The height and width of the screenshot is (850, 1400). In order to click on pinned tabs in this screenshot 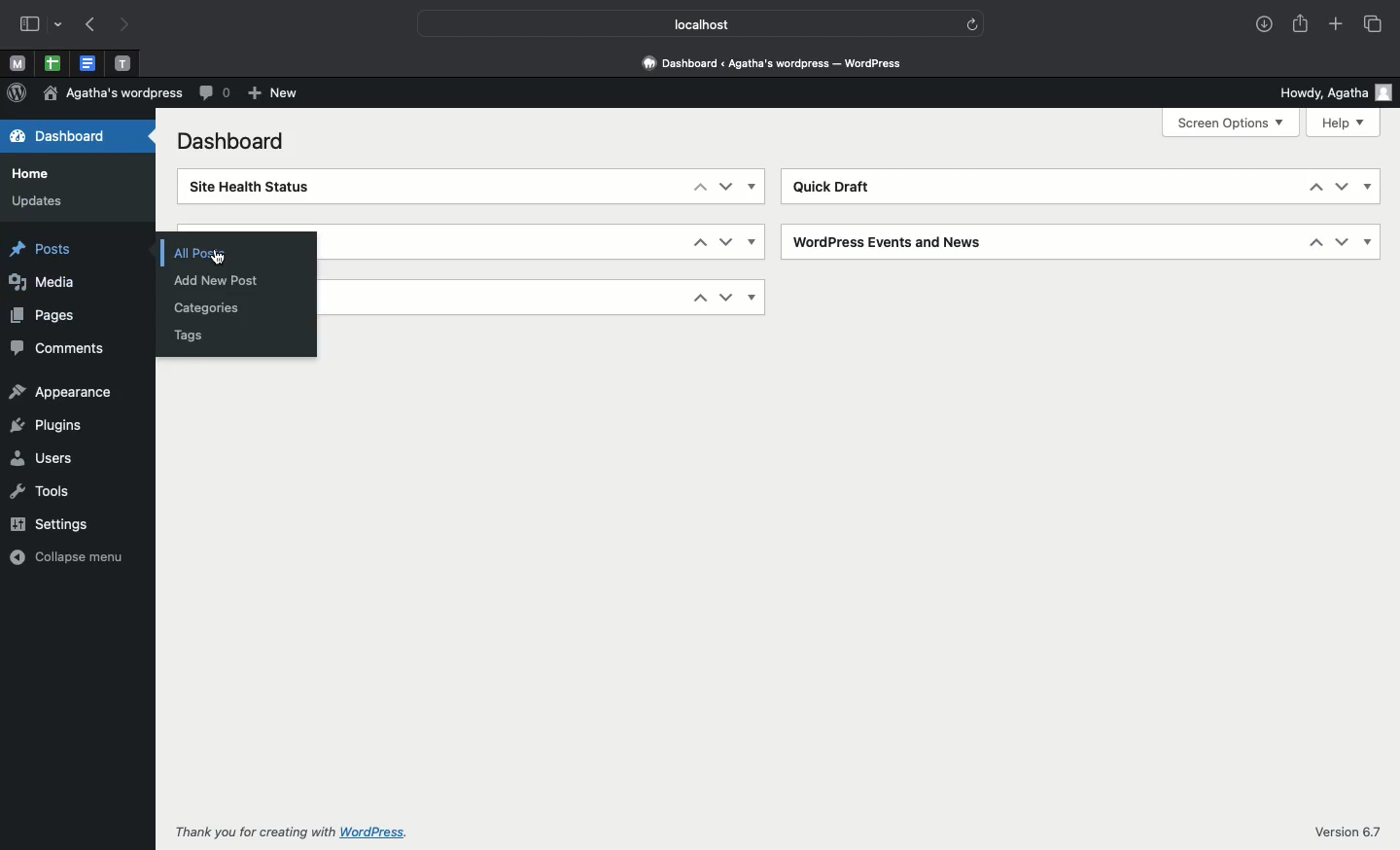, I will do `click(87, 64)`.